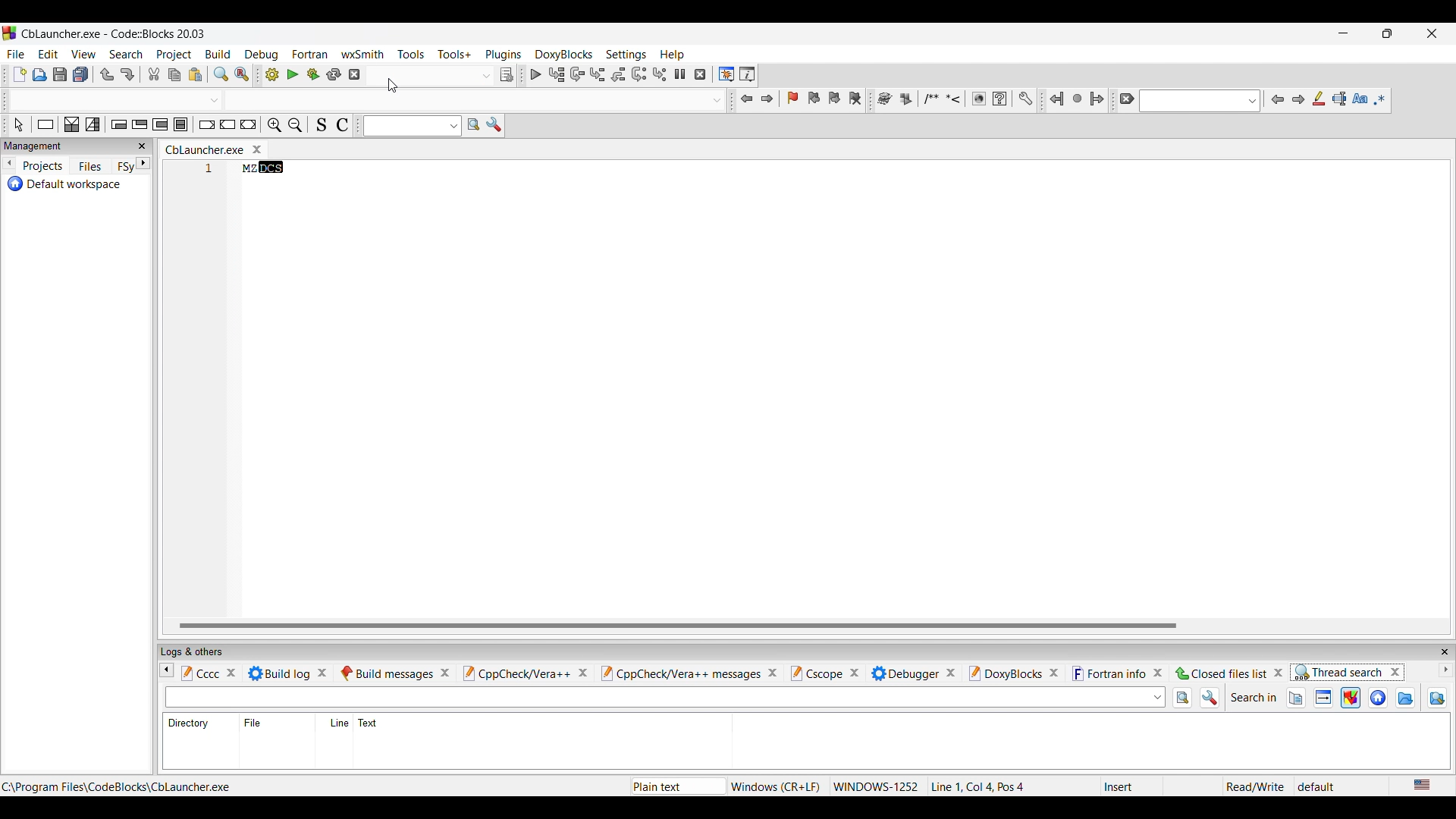 The image size is (1456, 819). What do you see at coordinates (72, 124) in the screenshot?
I see `Decision` at bounding box center [72, 124].